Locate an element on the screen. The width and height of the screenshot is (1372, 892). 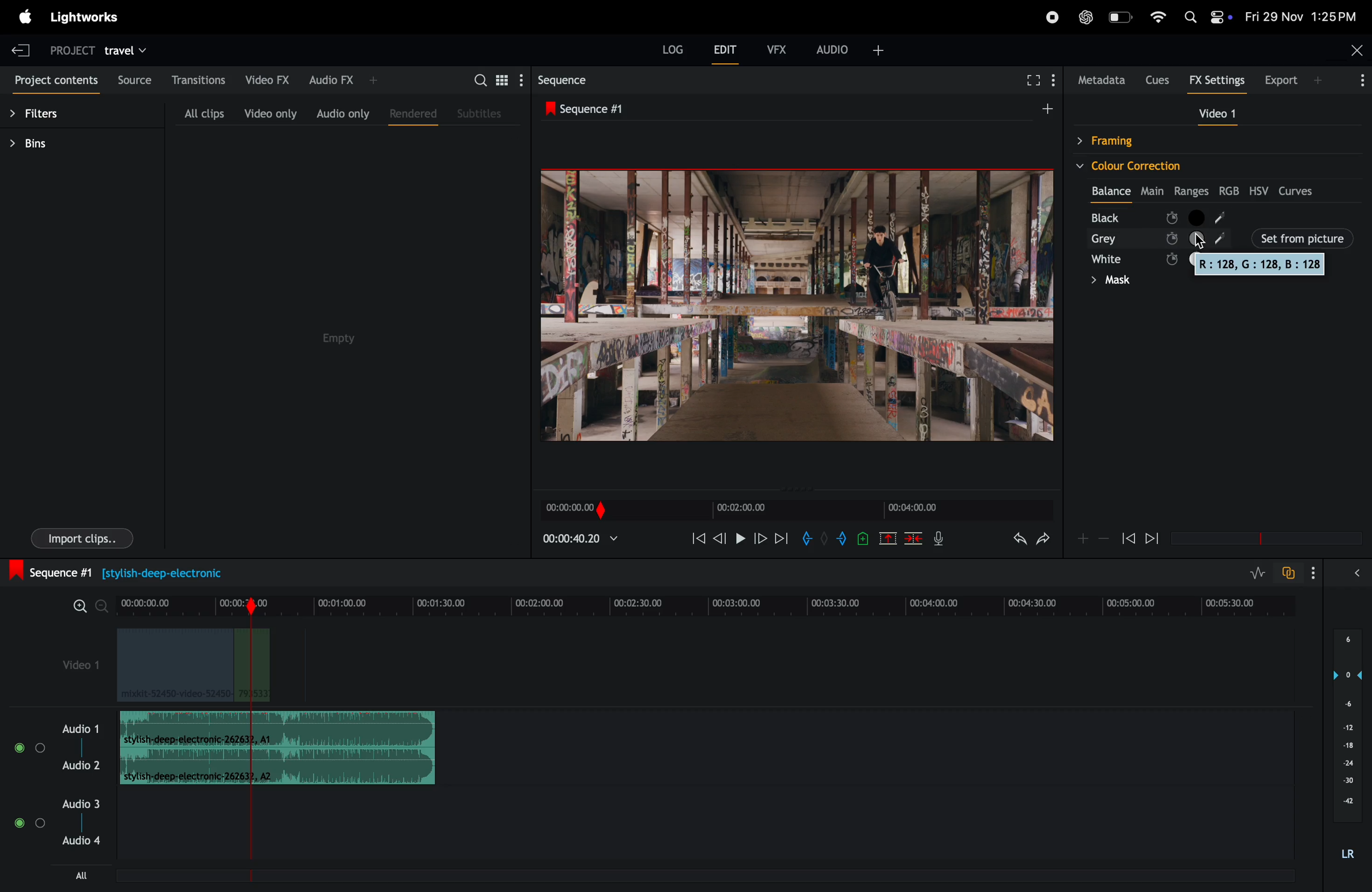
audio clip is located at coordinates (278, 729).